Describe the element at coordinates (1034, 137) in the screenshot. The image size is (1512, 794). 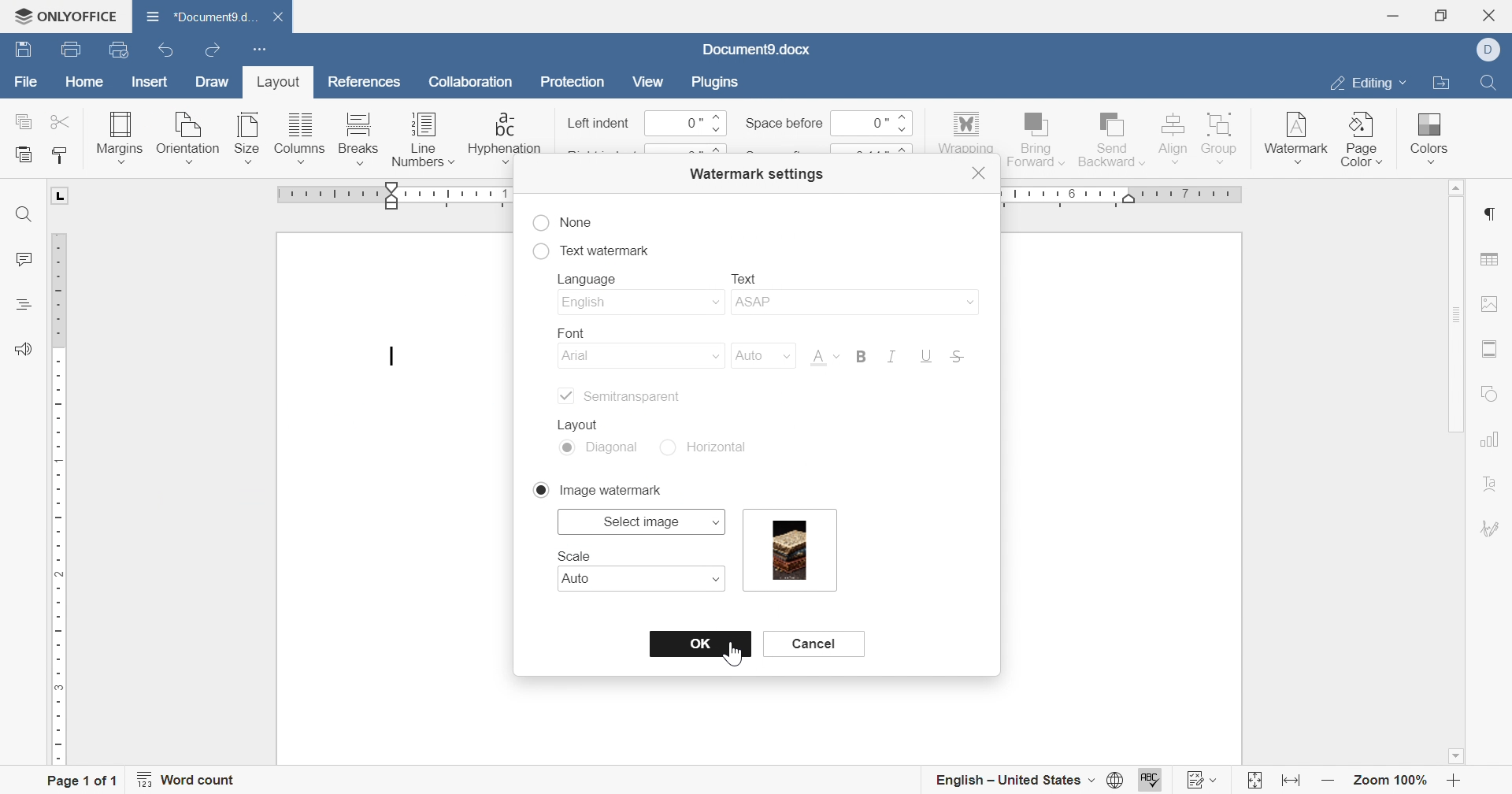
I see `bring forward` at that location.